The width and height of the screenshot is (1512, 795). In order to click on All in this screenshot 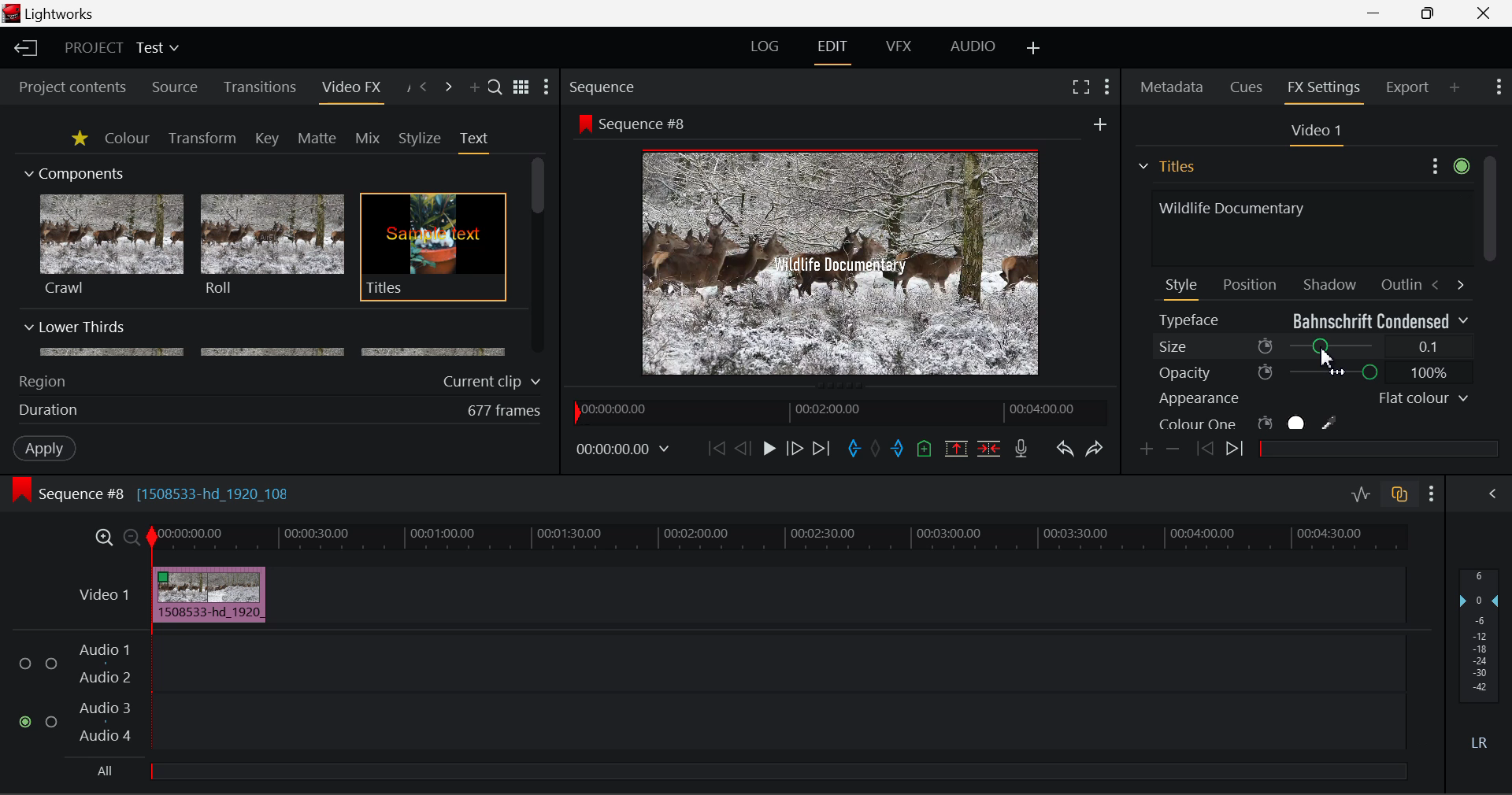, I will do `click(106, 771)`.